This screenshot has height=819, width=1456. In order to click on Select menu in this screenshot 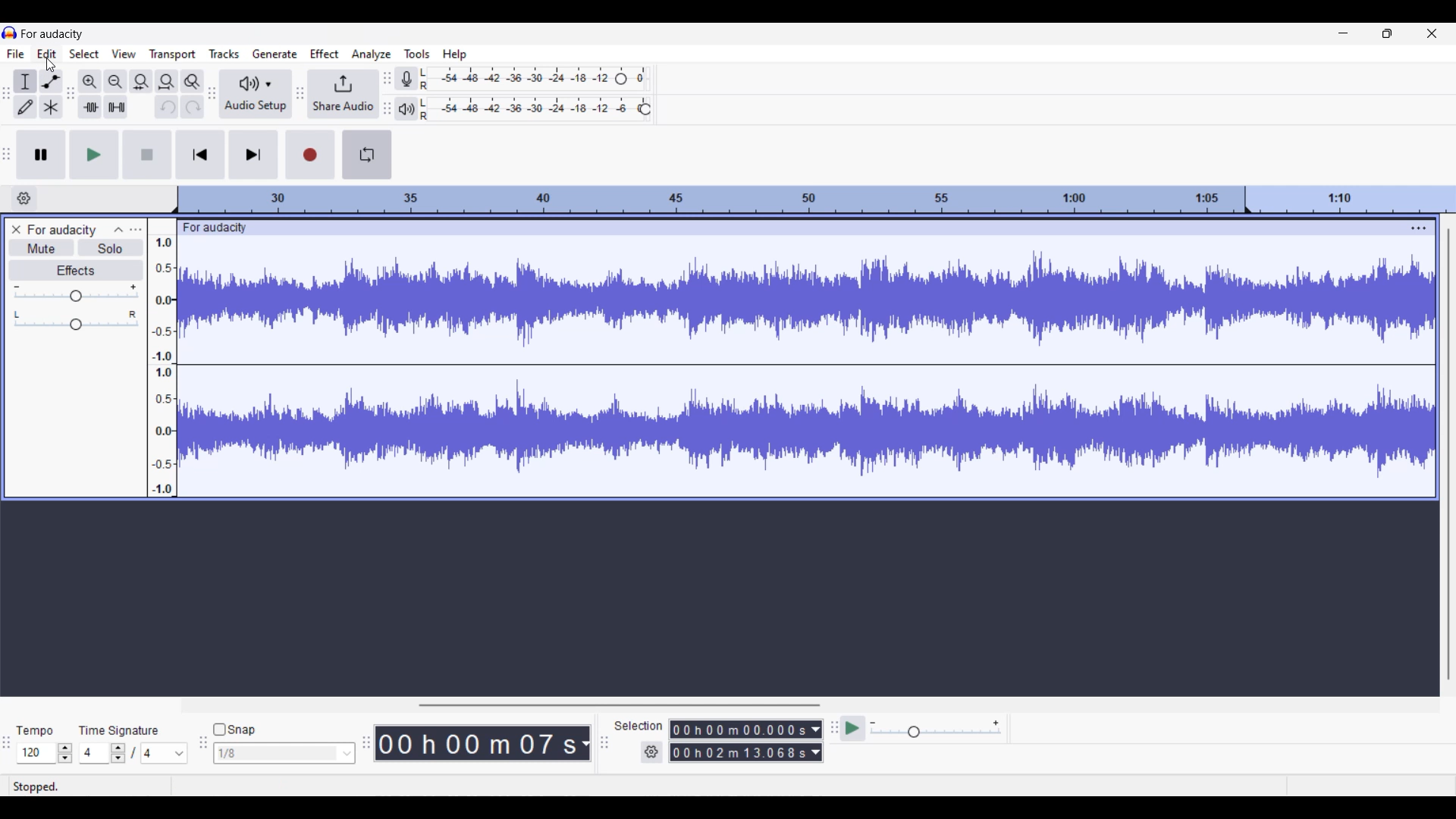, I will do `click(83, 54)`.